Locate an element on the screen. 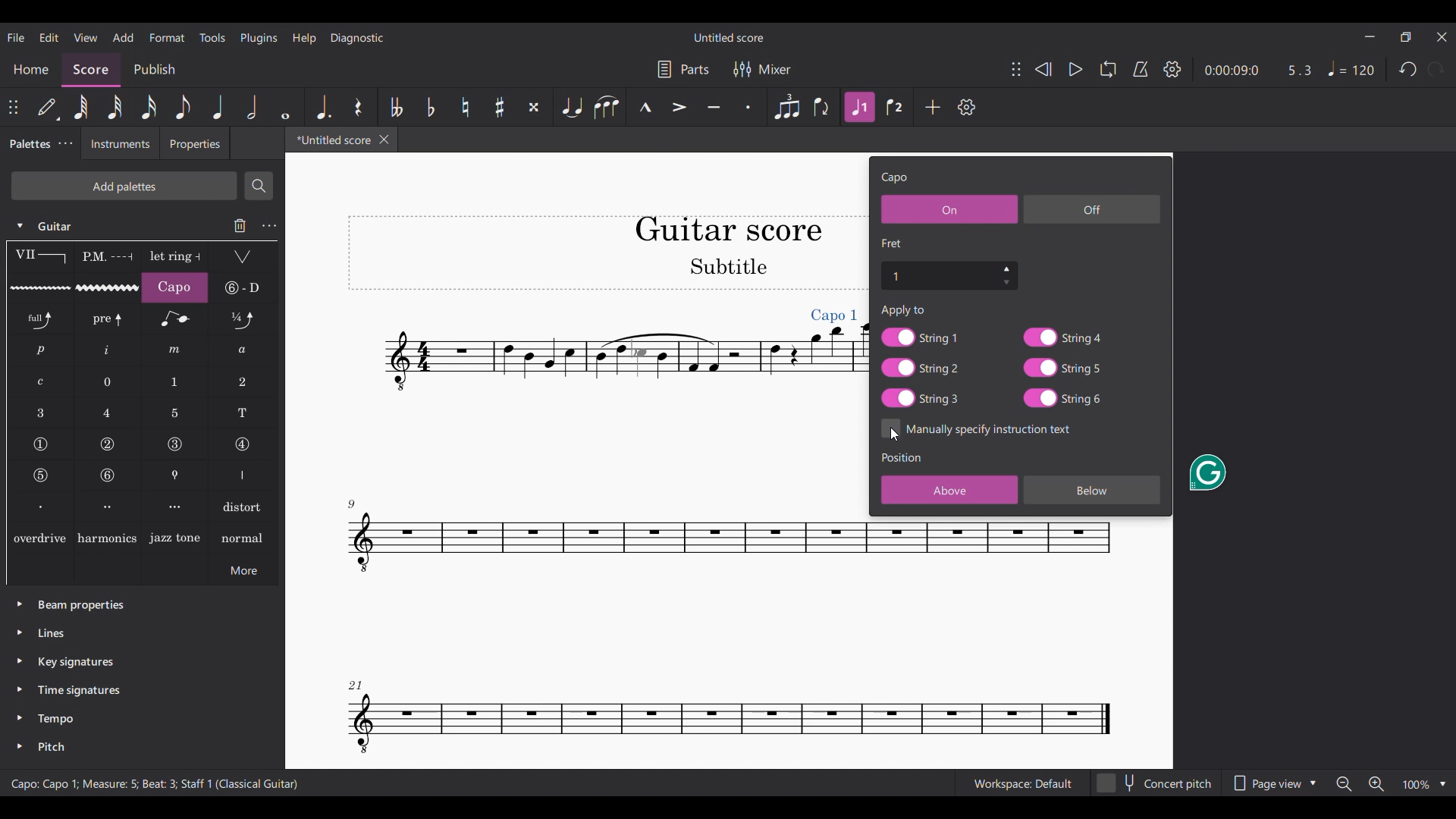  Thumb position is located at coordinates (176, 475).